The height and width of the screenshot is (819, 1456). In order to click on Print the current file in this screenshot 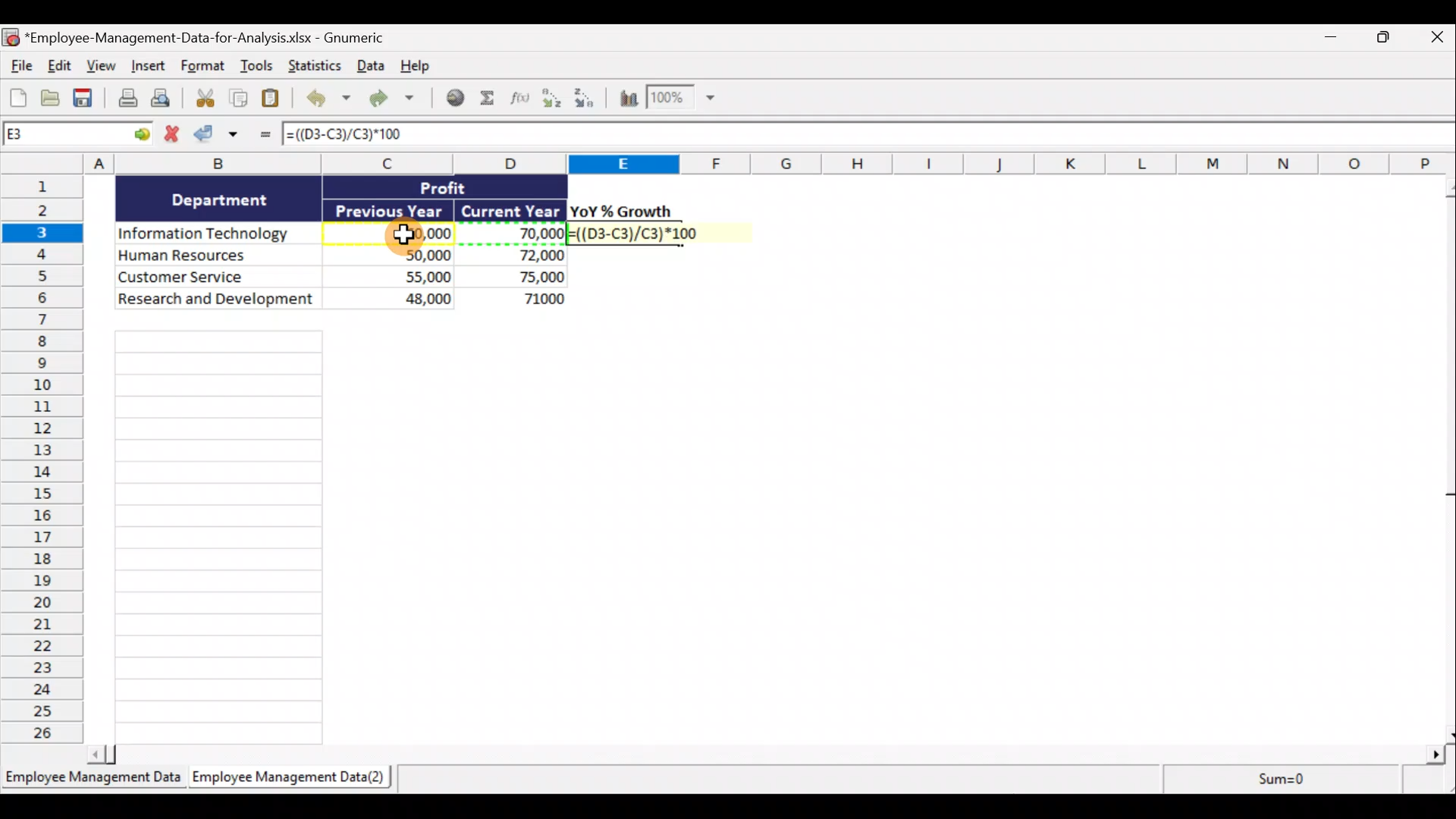, I will do `click(126, 100)`.